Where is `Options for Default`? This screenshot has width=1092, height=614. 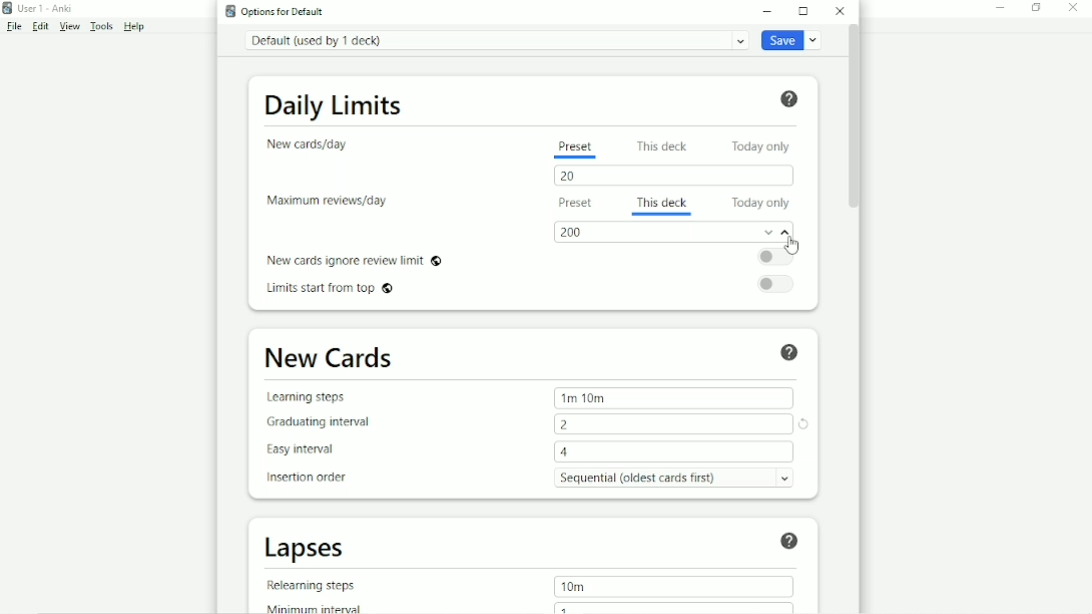 Options for Default is located at coordinates (278, 11).